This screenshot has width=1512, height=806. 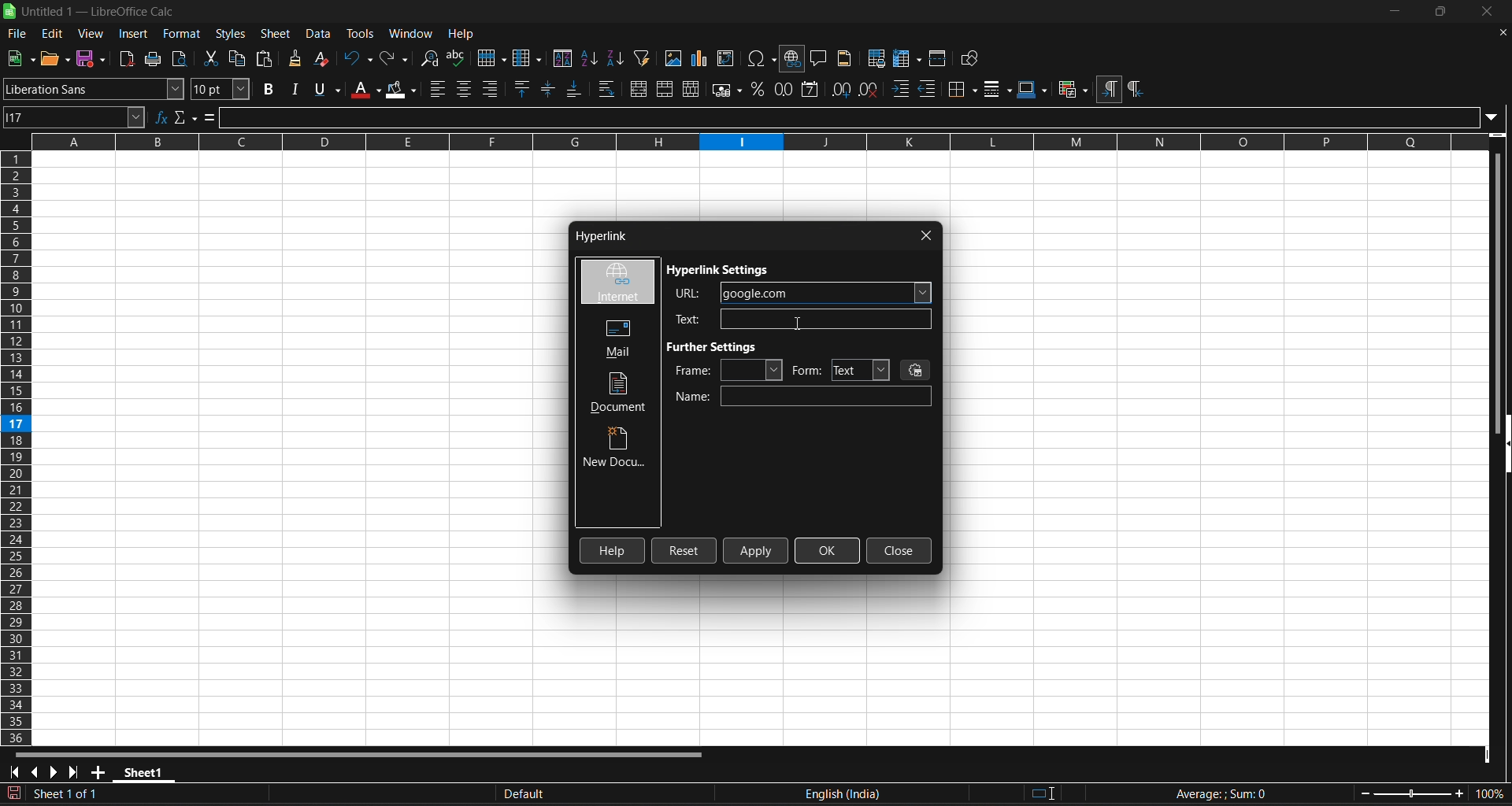 I want to click on background color, so click(x=402, y=88).